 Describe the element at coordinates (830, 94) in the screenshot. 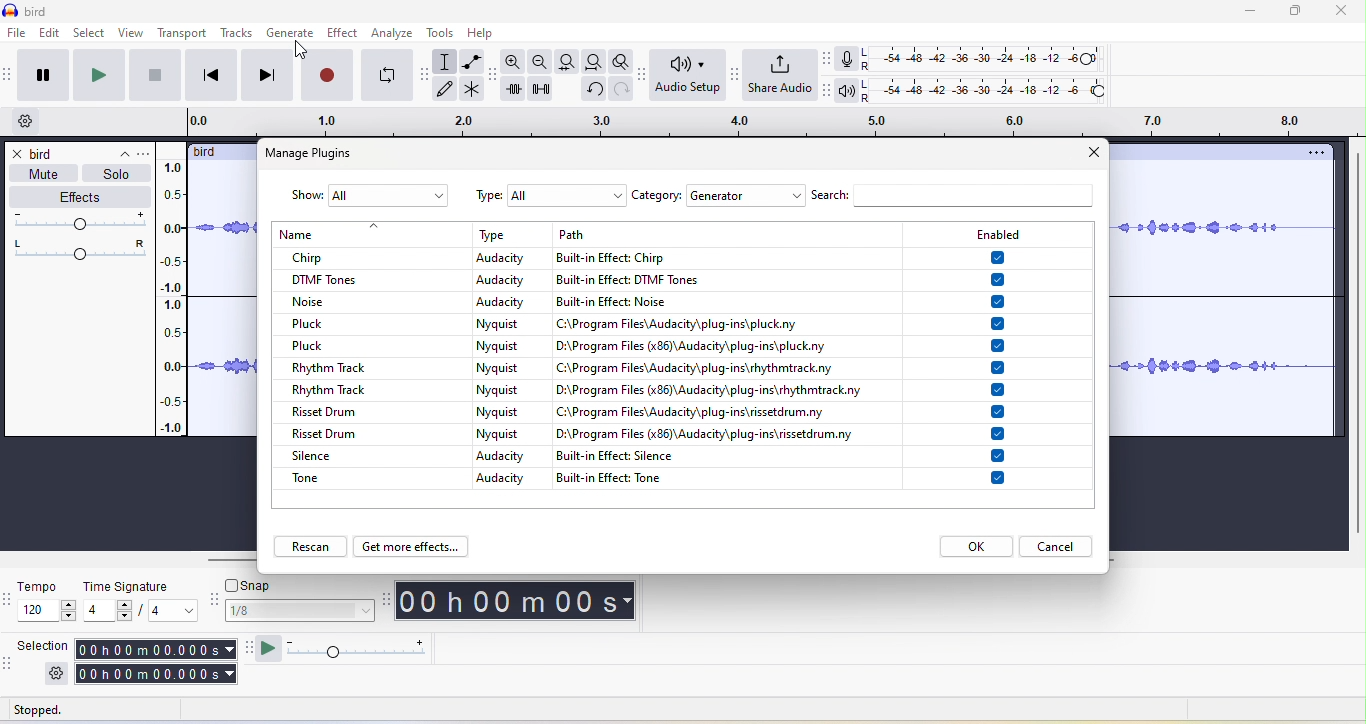

I see `audacity playback meter toolbar` at that location.